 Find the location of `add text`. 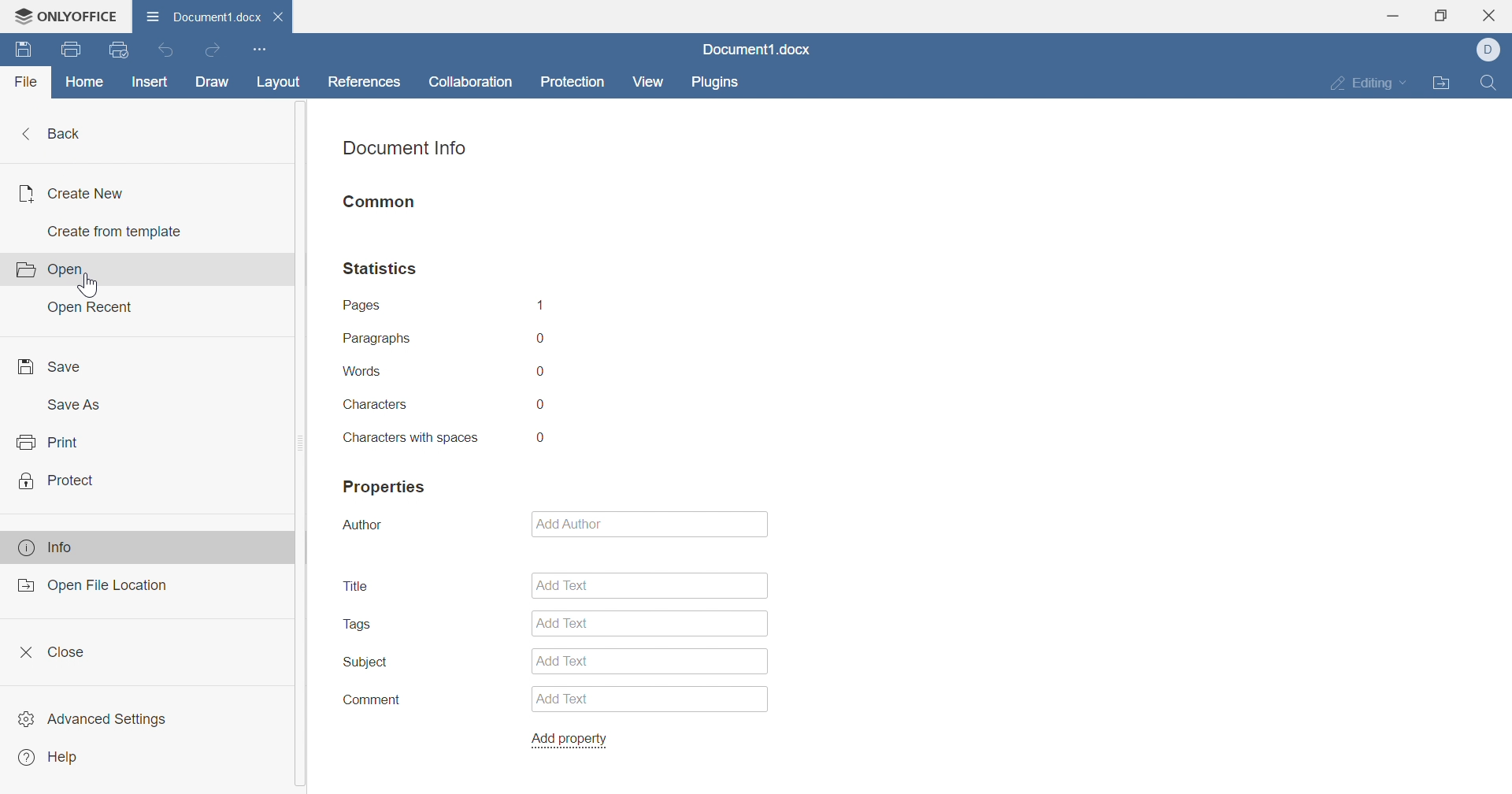

add text is located at coordinates (561, 586).